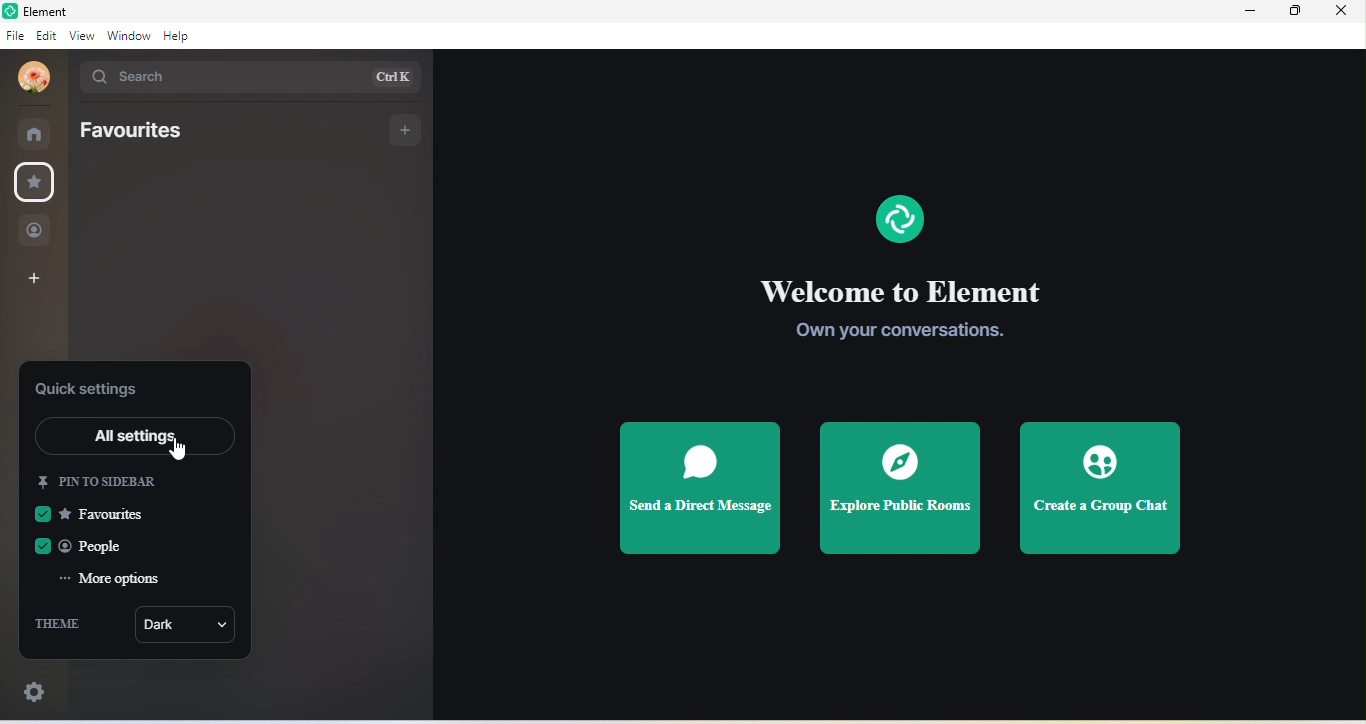 The height and width of the screenshot is (724, 1366). What do you see at coordinates (133, 435) in the screenshot?
I see `all settings` at bounding box center [133, 435].